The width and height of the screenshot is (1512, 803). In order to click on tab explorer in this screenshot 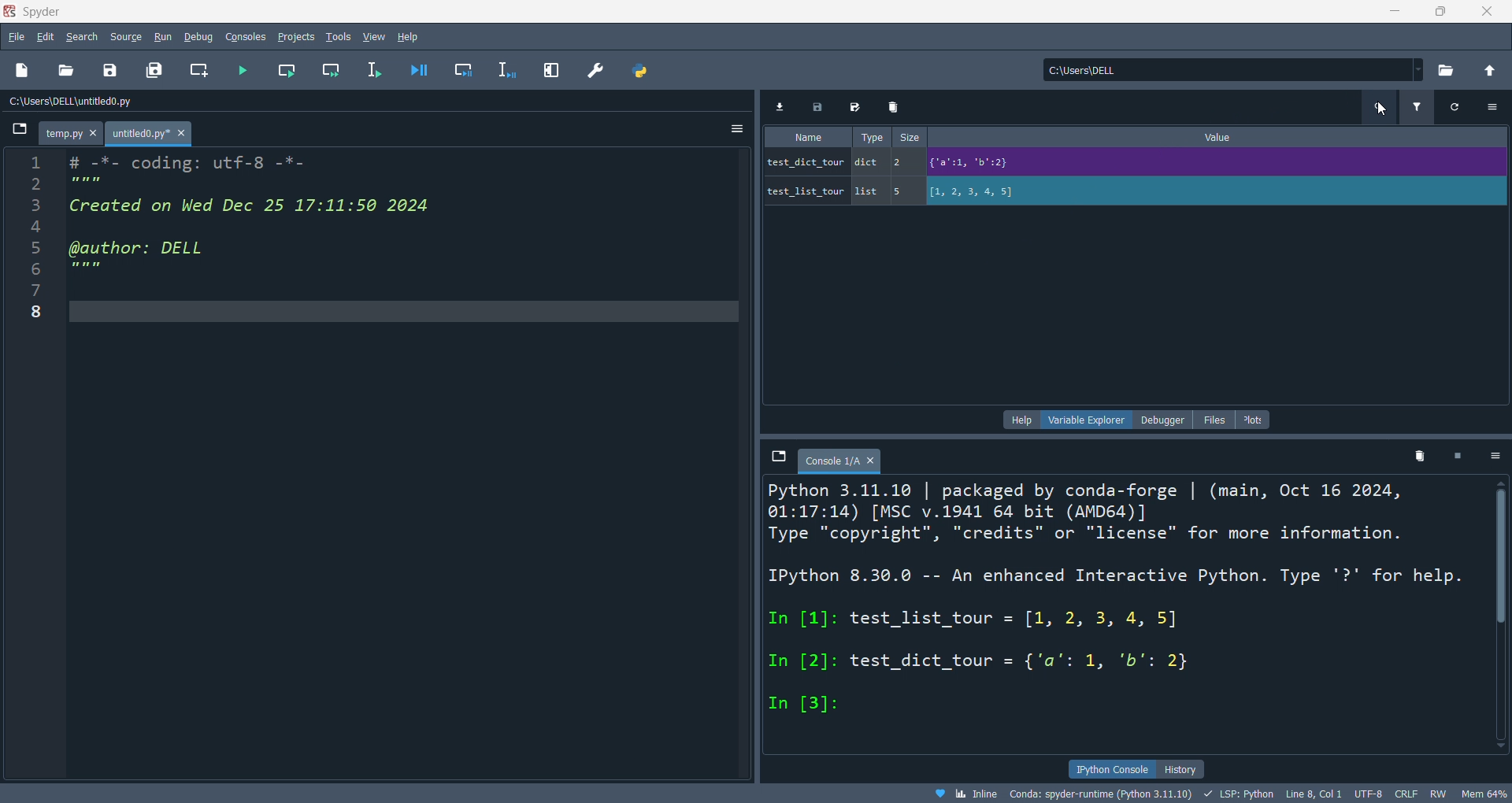, I will do `click(778, 460)`.